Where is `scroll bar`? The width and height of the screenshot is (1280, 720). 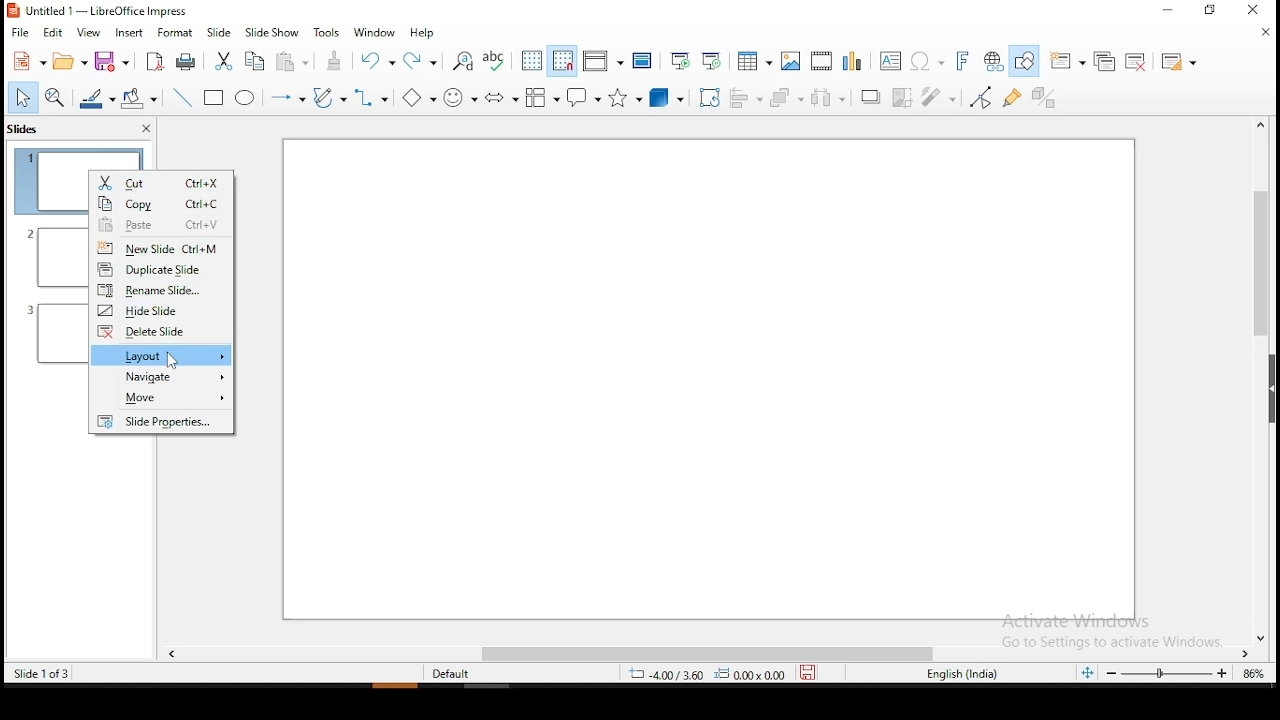 scroll bar is located at coordinates (1253, 381).